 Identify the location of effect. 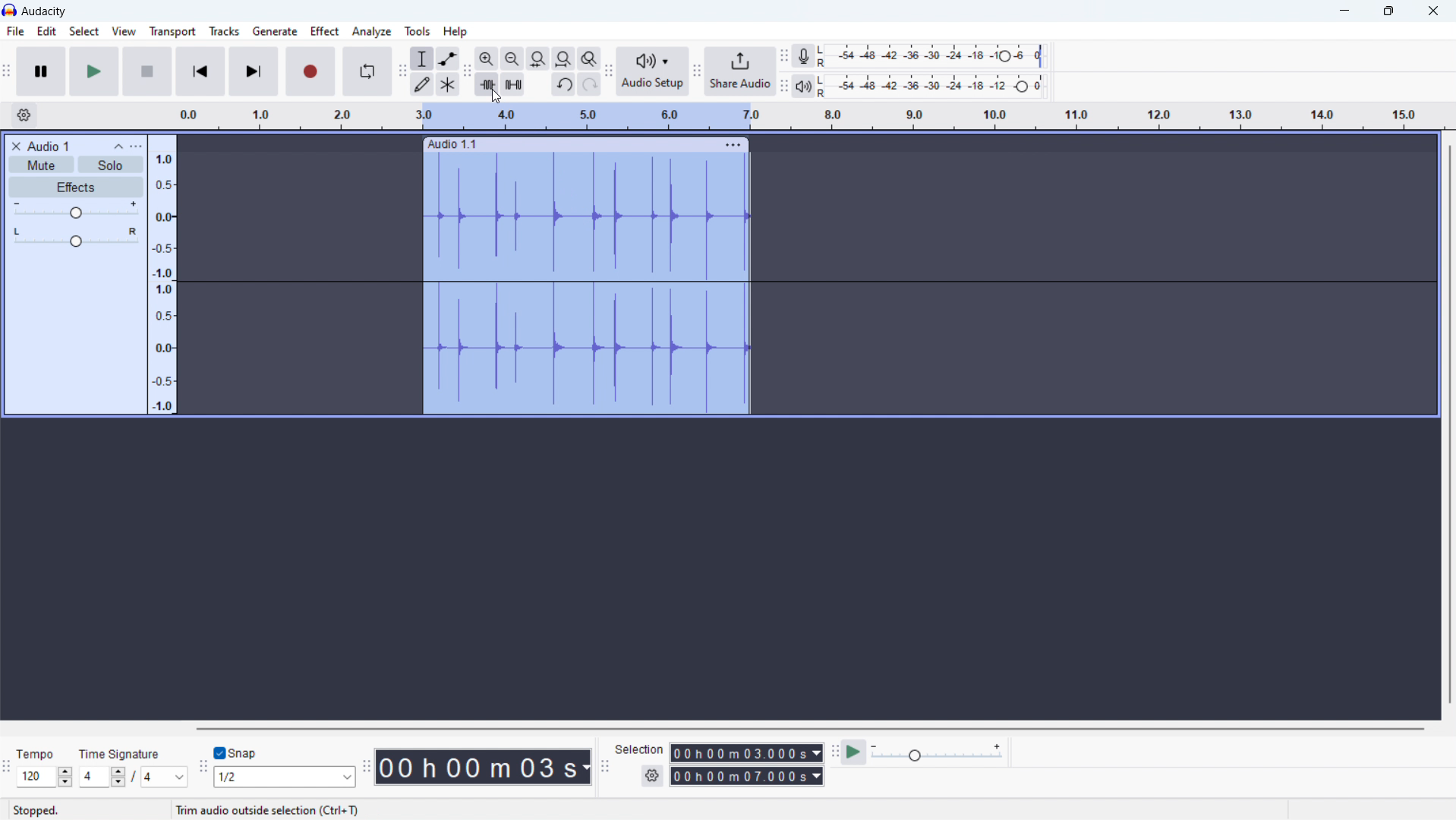
(325, 31).